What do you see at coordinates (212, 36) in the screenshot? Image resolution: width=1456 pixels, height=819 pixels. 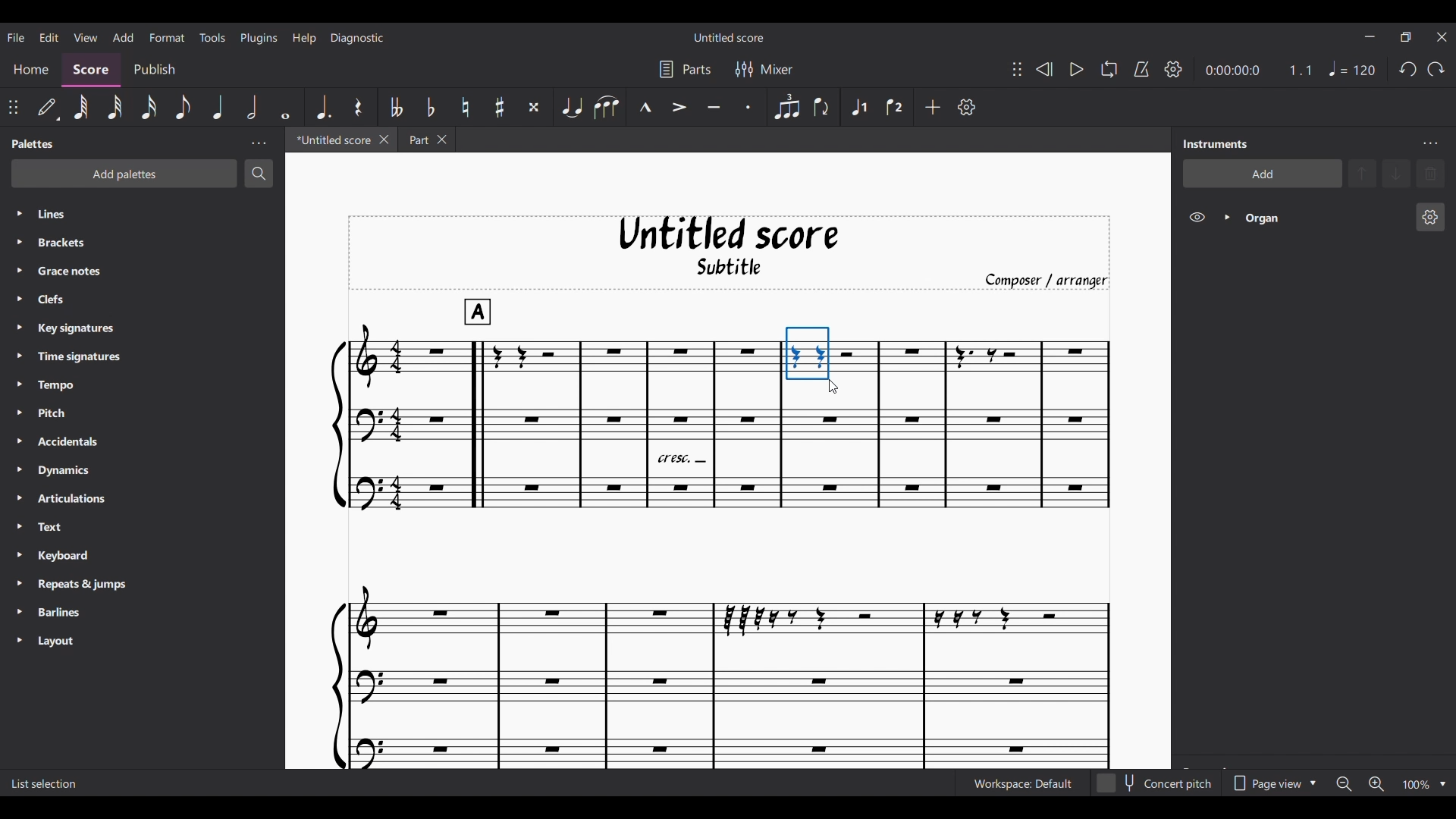 I see `Tools menu` at bounding box center [212, 36].